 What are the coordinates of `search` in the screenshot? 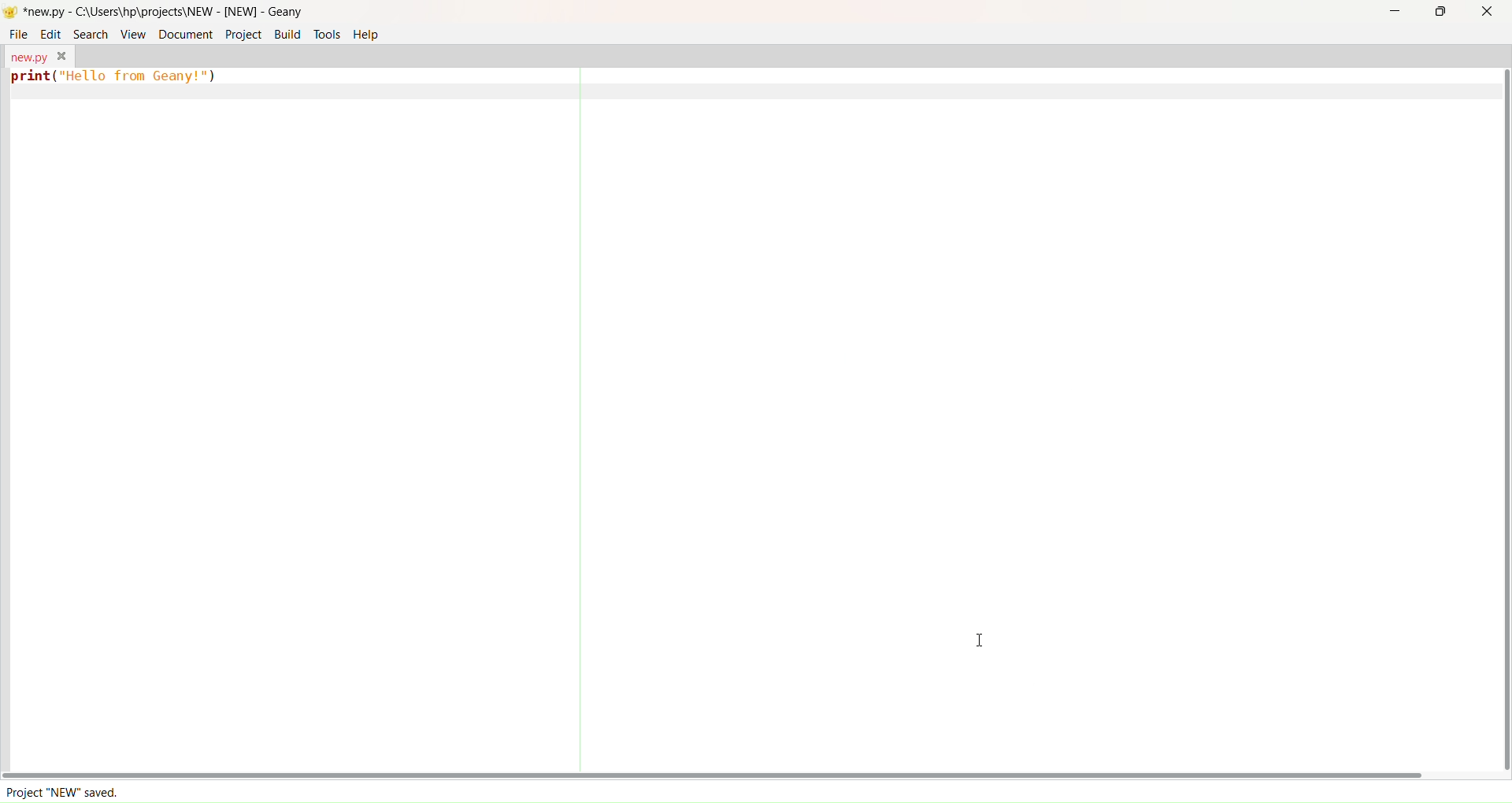 It's located at (87, 32).